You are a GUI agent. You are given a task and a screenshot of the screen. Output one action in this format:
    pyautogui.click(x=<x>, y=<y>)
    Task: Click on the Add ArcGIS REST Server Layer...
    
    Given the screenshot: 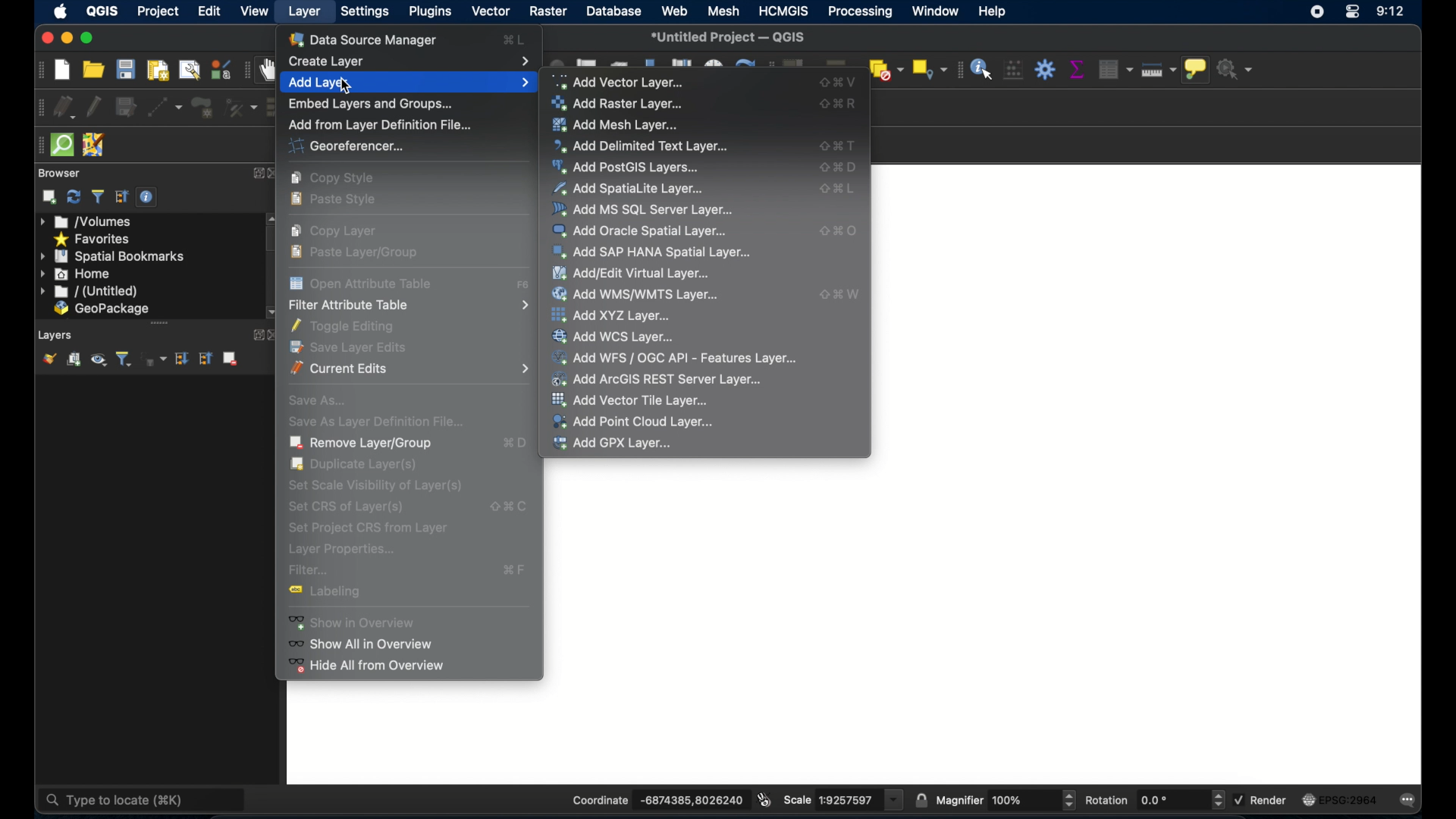 What is the action you would take?
    pyautogui.click(x=665, y=379)
    